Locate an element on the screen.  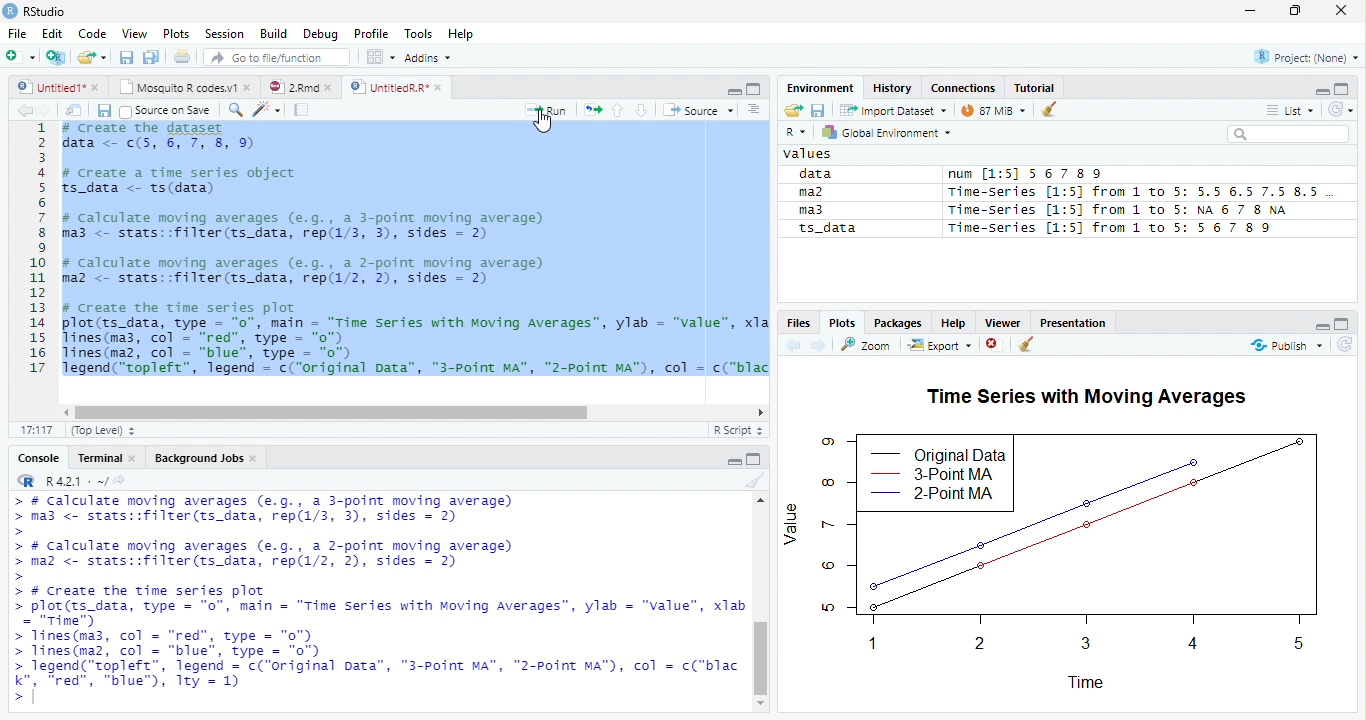
Terminal is located at coordinates (99, 458).